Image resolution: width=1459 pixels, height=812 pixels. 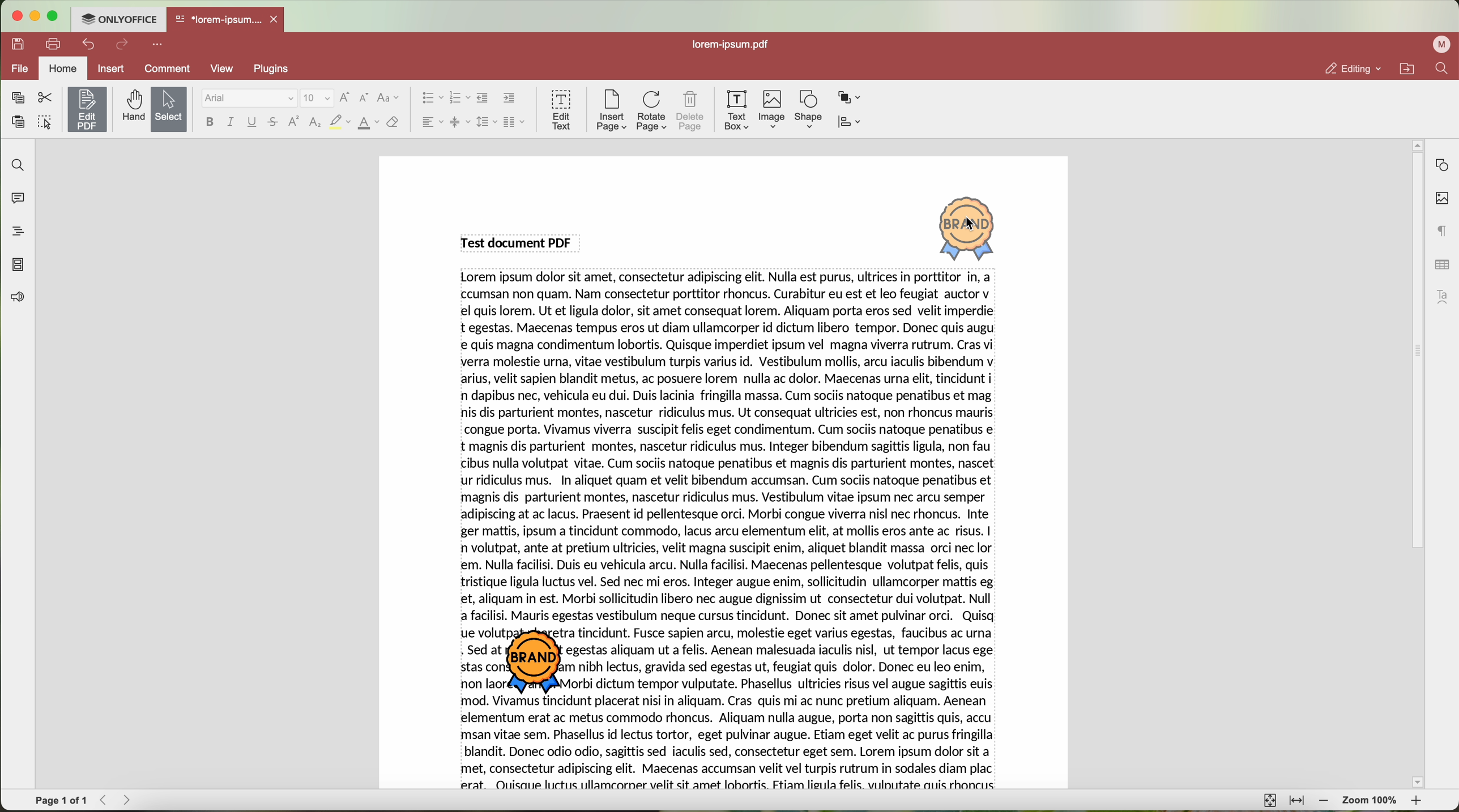 What do you see at coordinates (1441, 68) in the screenshot?
I see `find` at bounding box center [1441, 68].